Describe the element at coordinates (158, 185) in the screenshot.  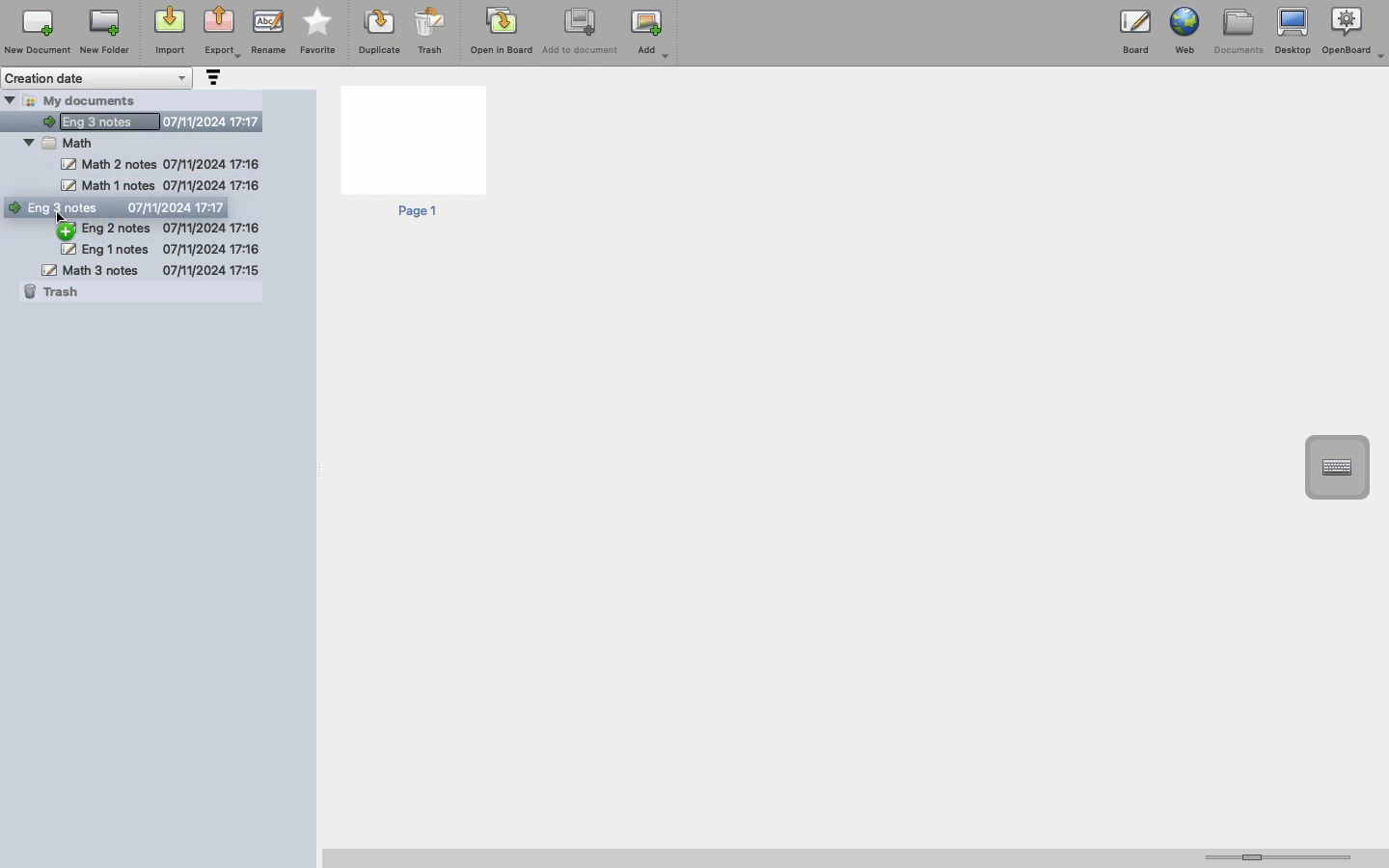
I see `Math 1 notes` at that location.